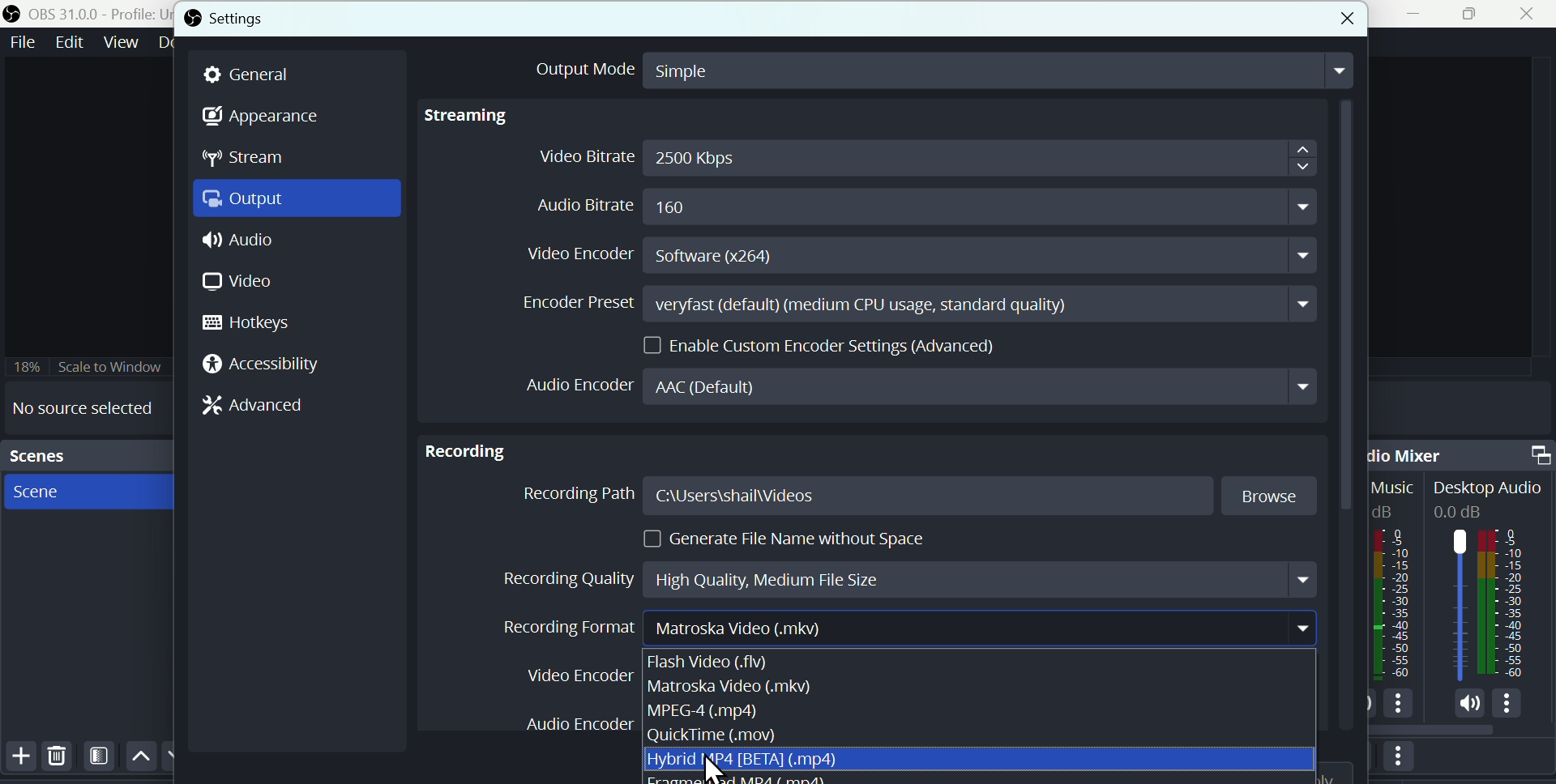  What do you see at coordinates (743, 761) in the screenshot?
I see `Hybrid` at bounding box center [743, 761].